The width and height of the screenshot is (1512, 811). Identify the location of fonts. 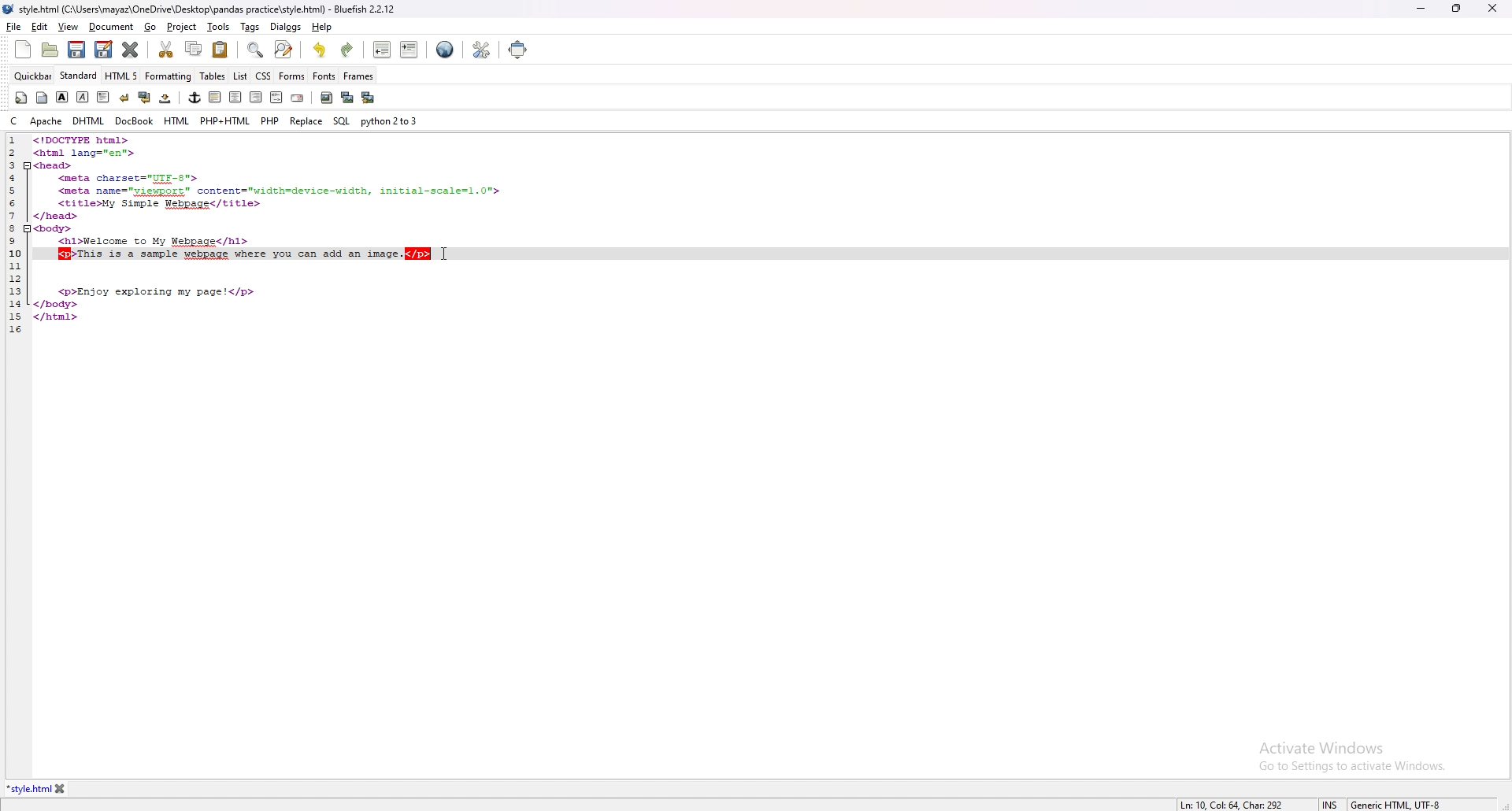
(324, 76).